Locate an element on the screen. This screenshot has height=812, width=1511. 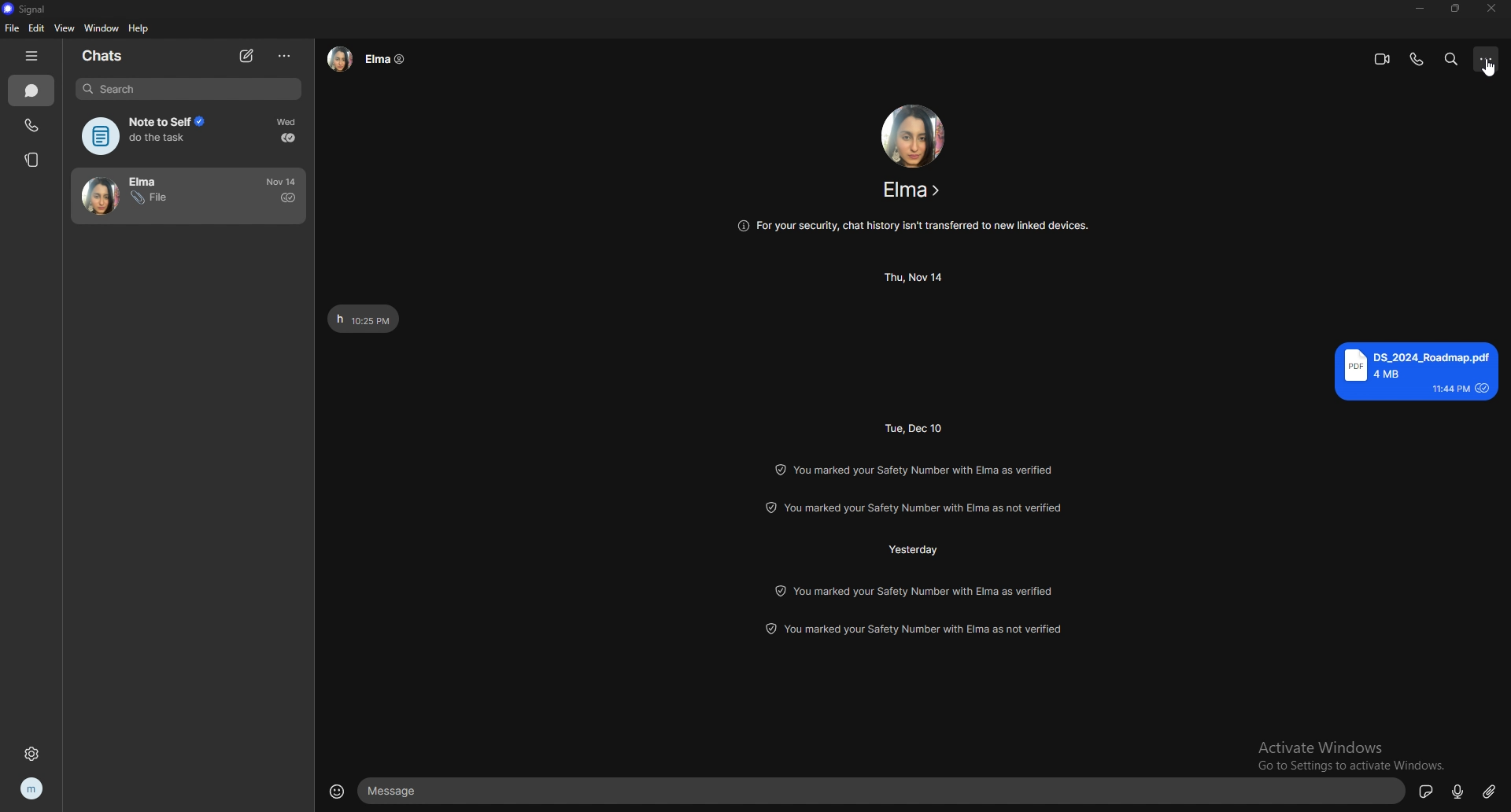
info is located at coordinates (913, 467).